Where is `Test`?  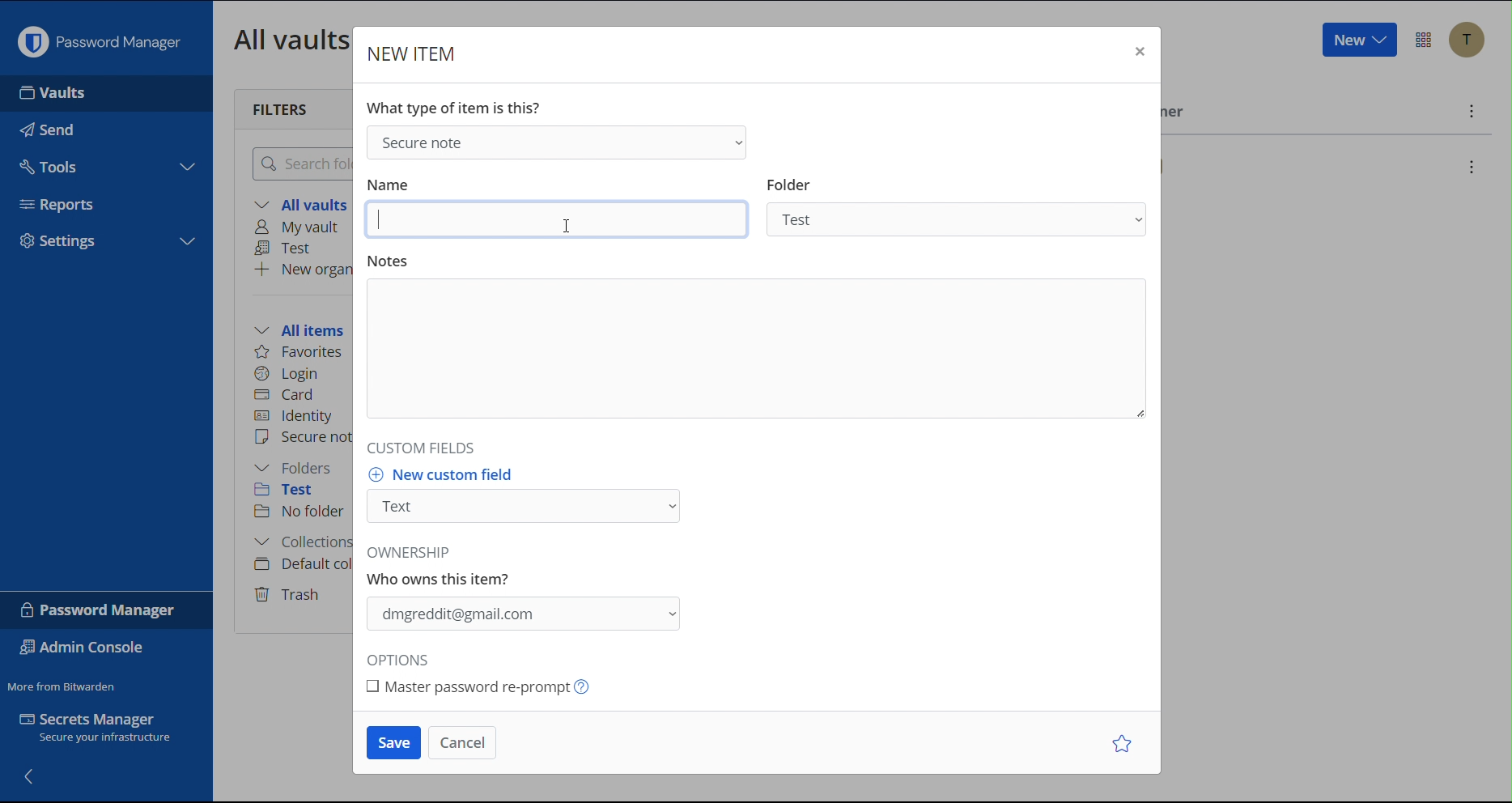 Test is located at coordinates (287, 249).